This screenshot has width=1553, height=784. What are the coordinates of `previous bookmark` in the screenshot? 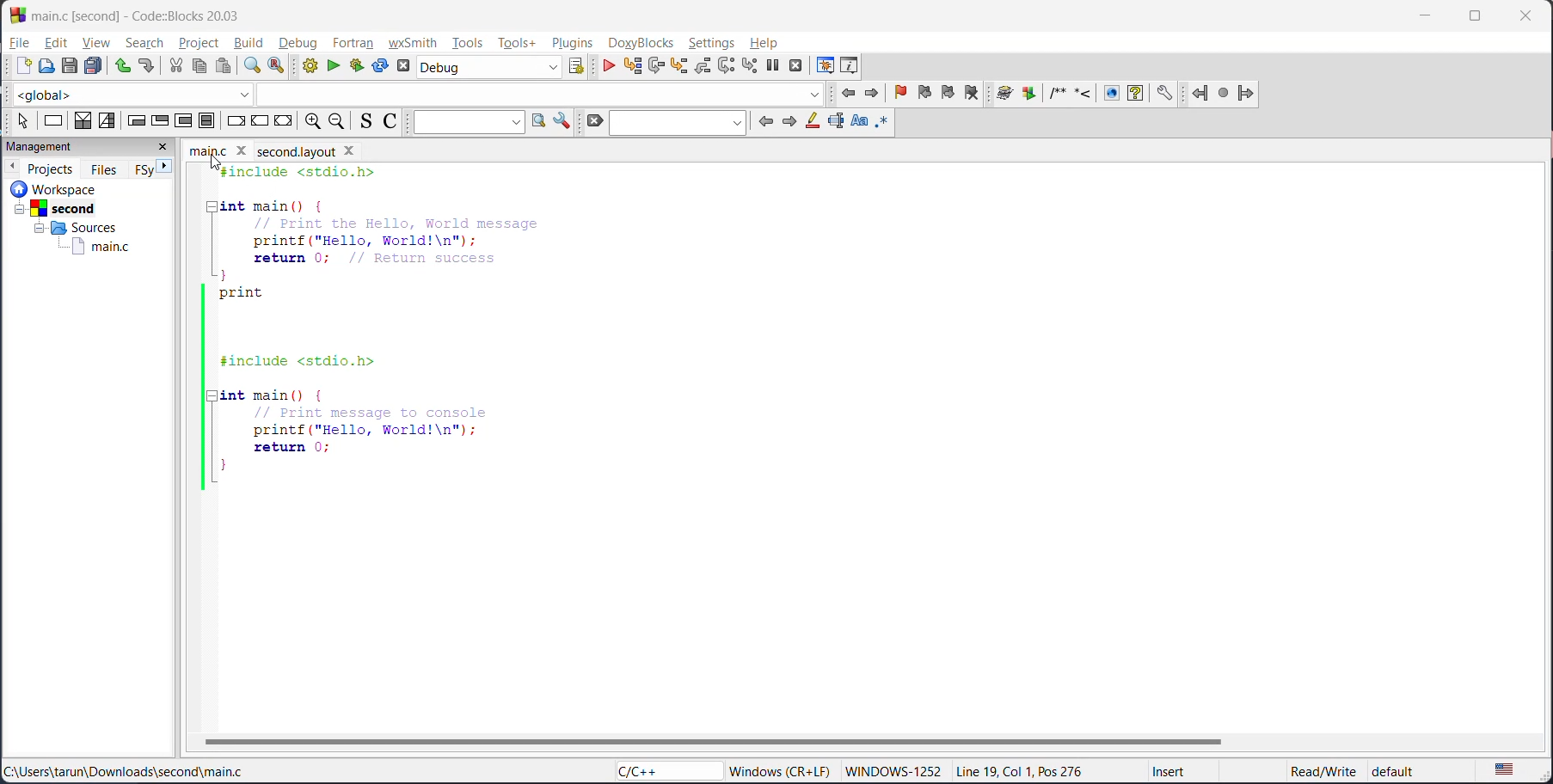 It's located at (924, 95).